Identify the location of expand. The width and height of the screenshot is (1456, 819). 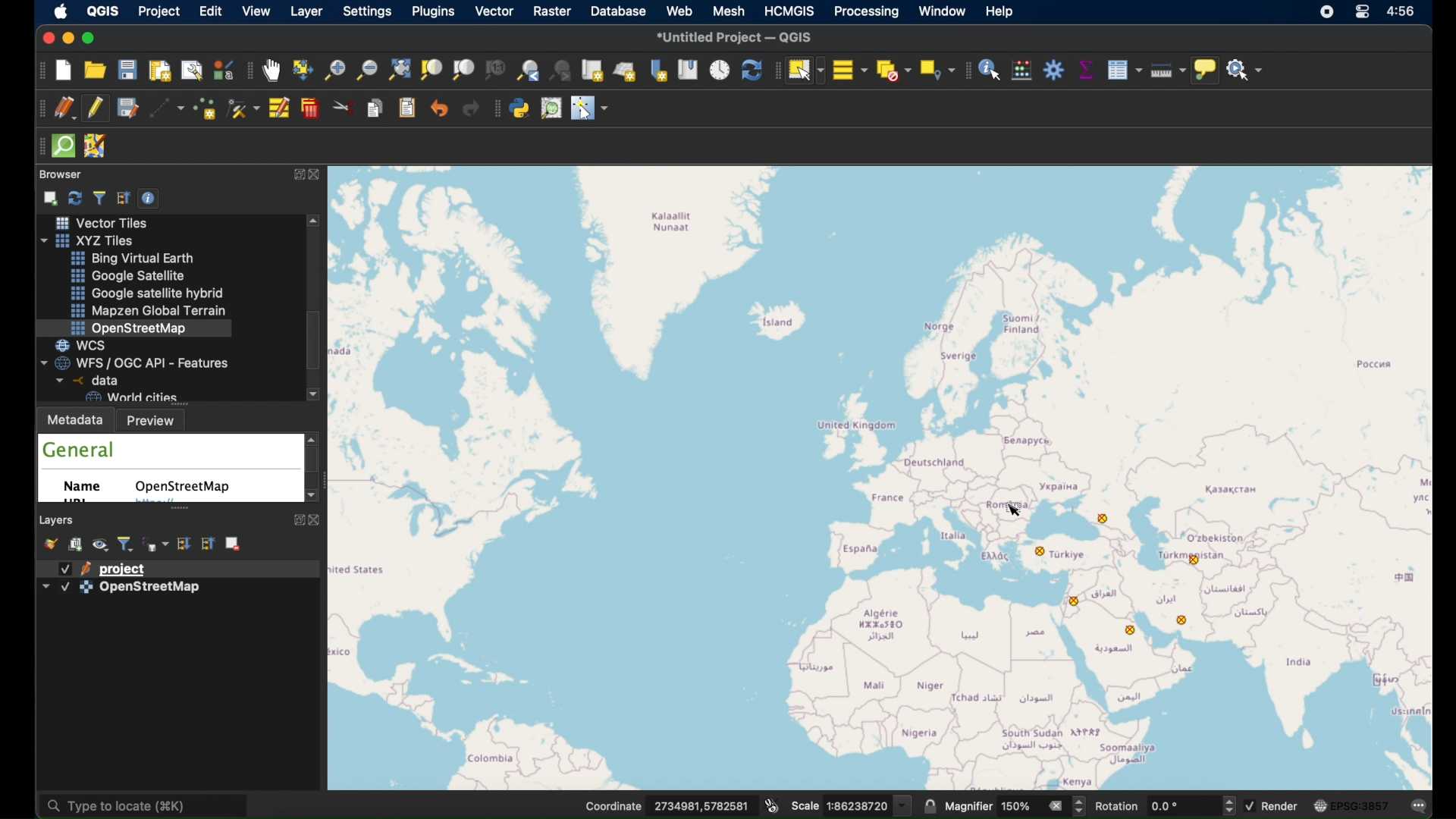
(295, 174).